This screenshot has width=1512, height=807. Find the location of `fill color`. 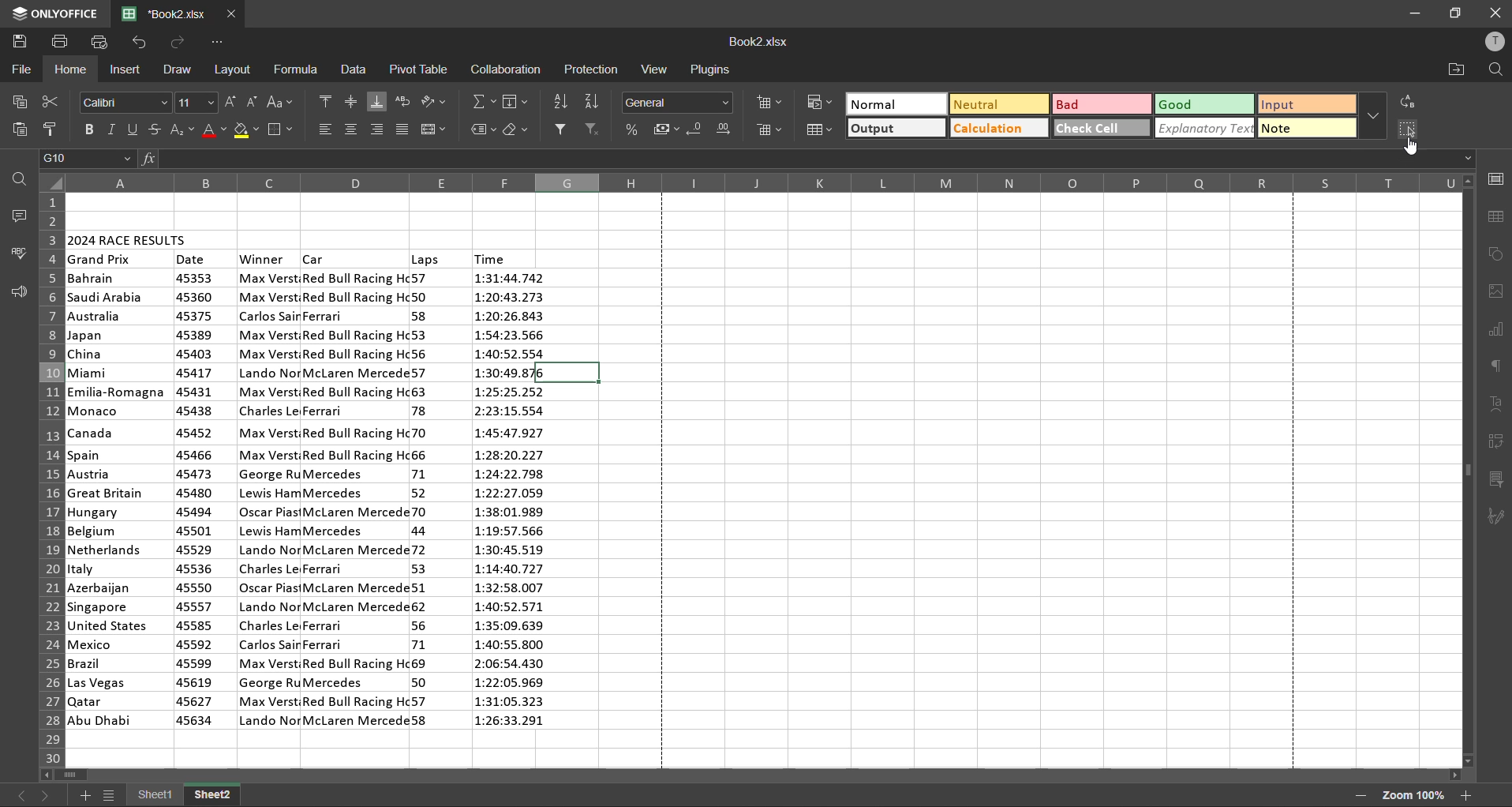

fill color is located at coordinates (246, 133).